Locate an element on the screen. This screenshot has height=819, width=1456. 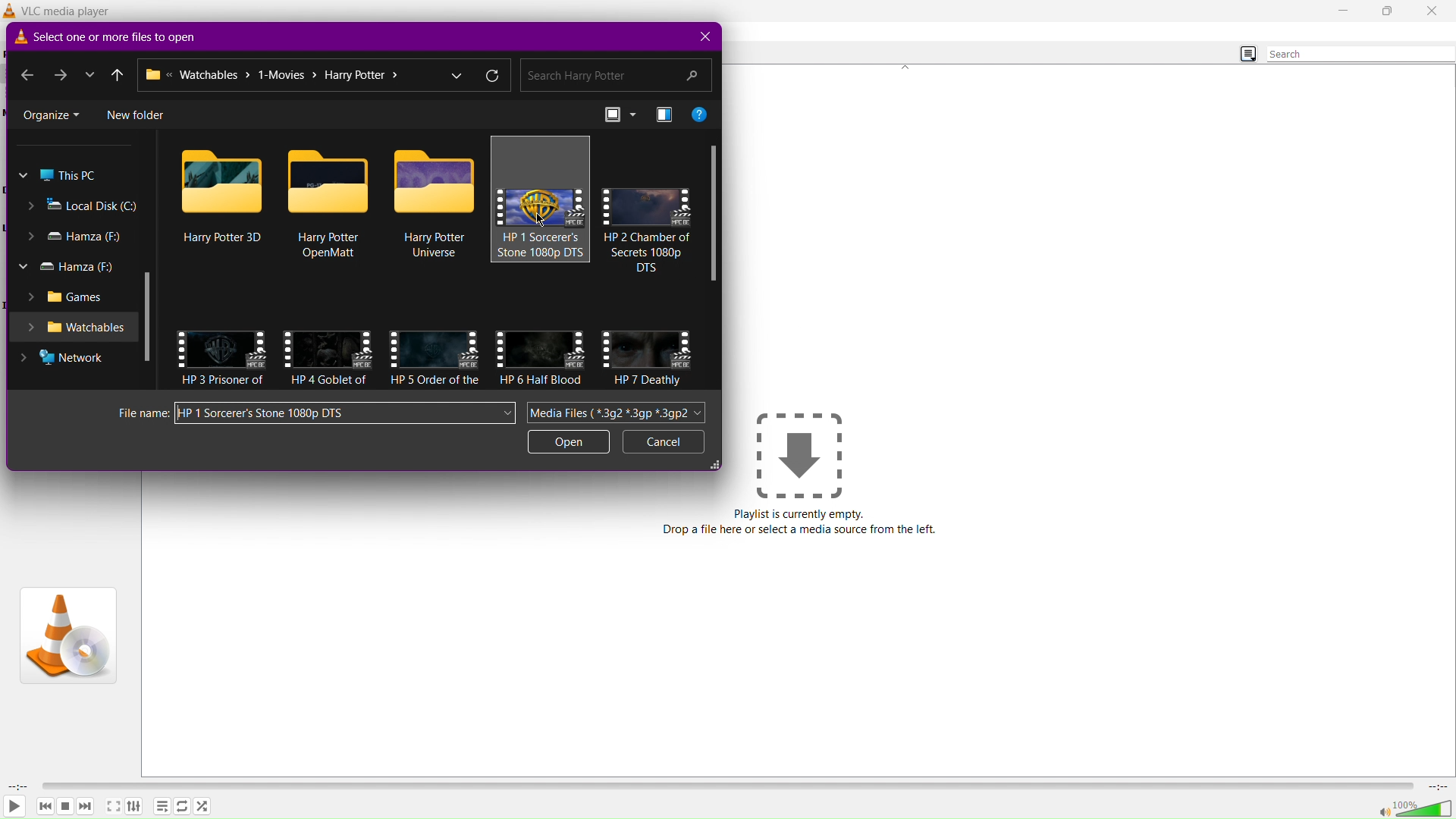
Type of Files is located at coordinates (620, 414).